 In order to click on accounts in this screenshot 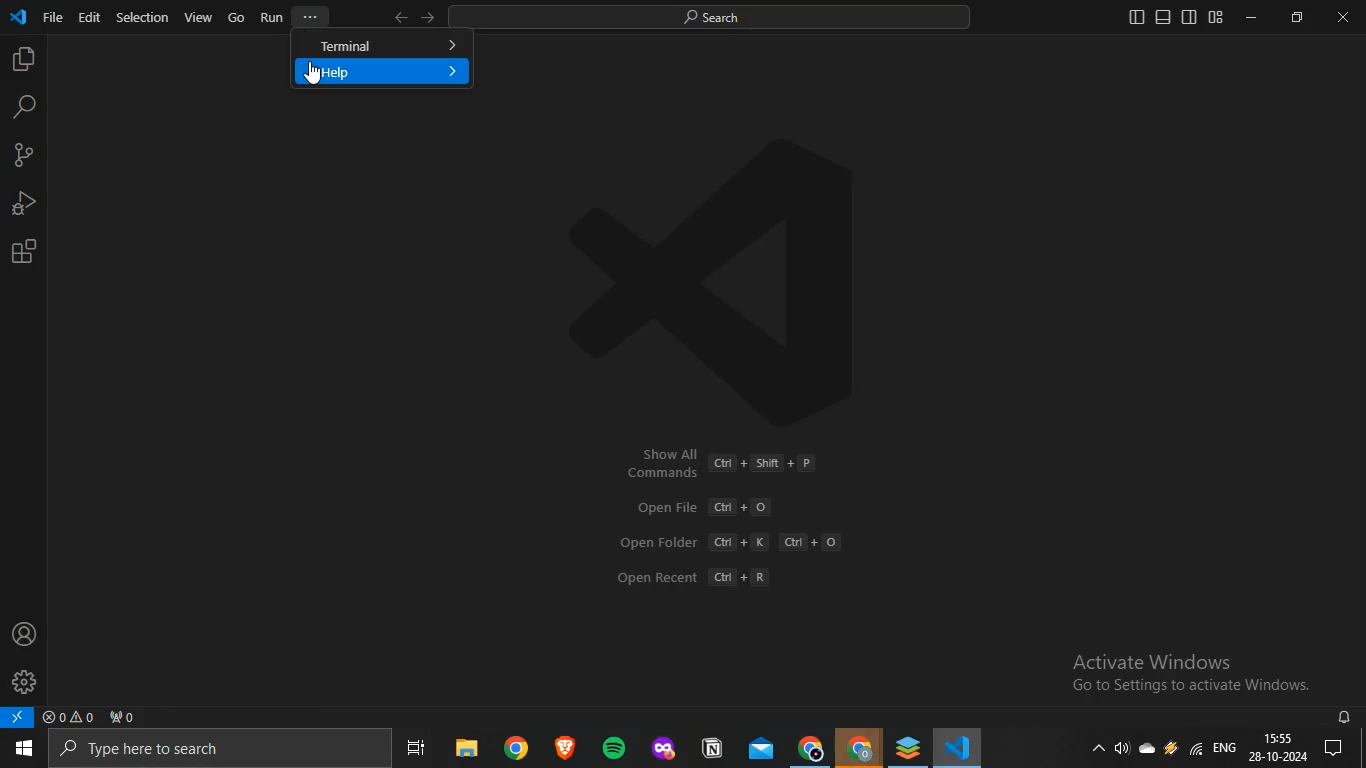, I will do `click(23, 633)`.